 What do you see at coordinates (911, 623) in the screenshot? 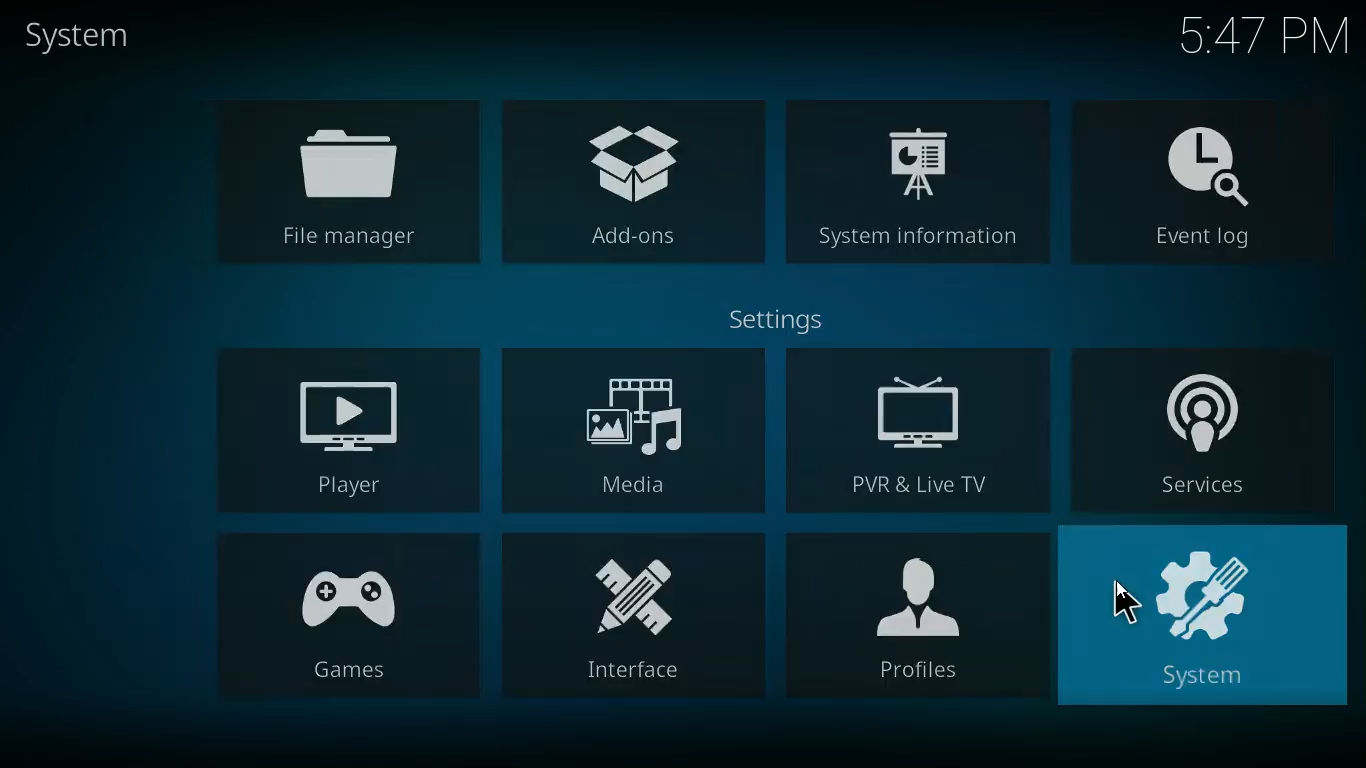
I see `profiles` at bounding box center [911, 623].